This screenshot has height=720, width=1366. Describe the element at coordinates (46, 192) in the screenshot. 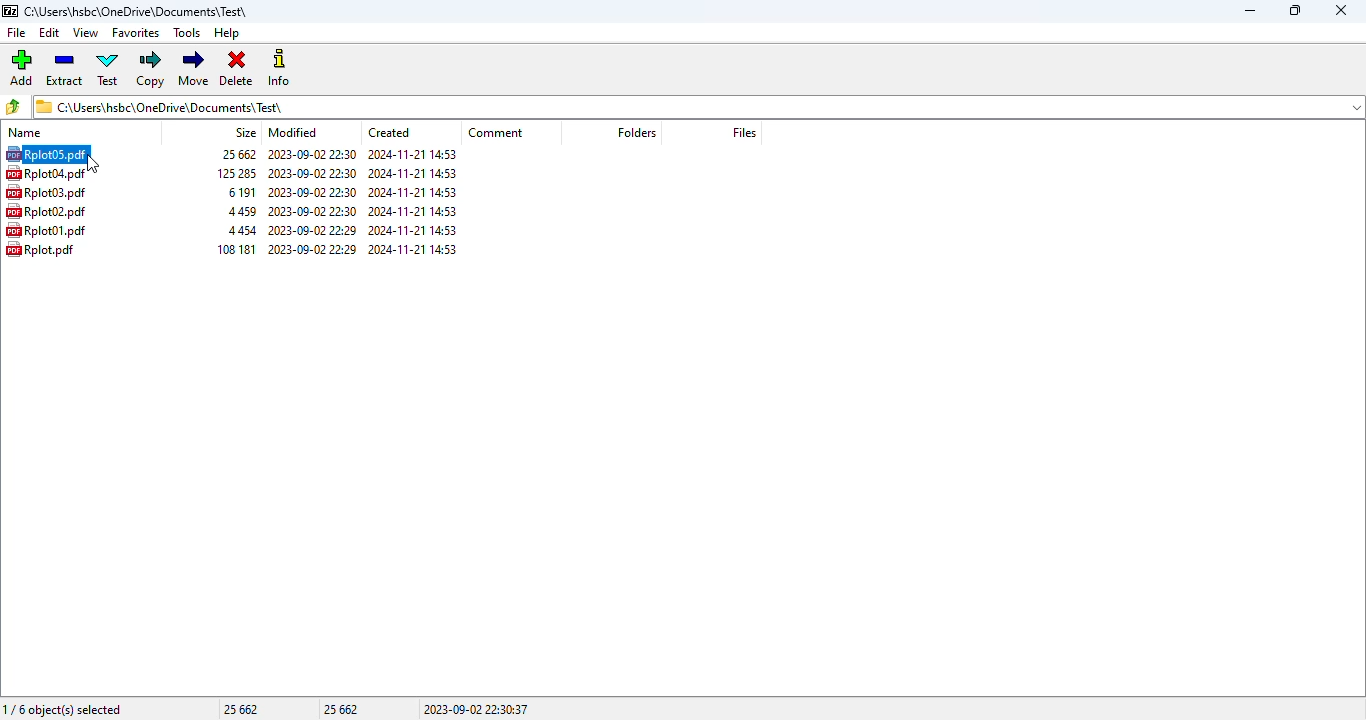

I see `rplot03` at that location.